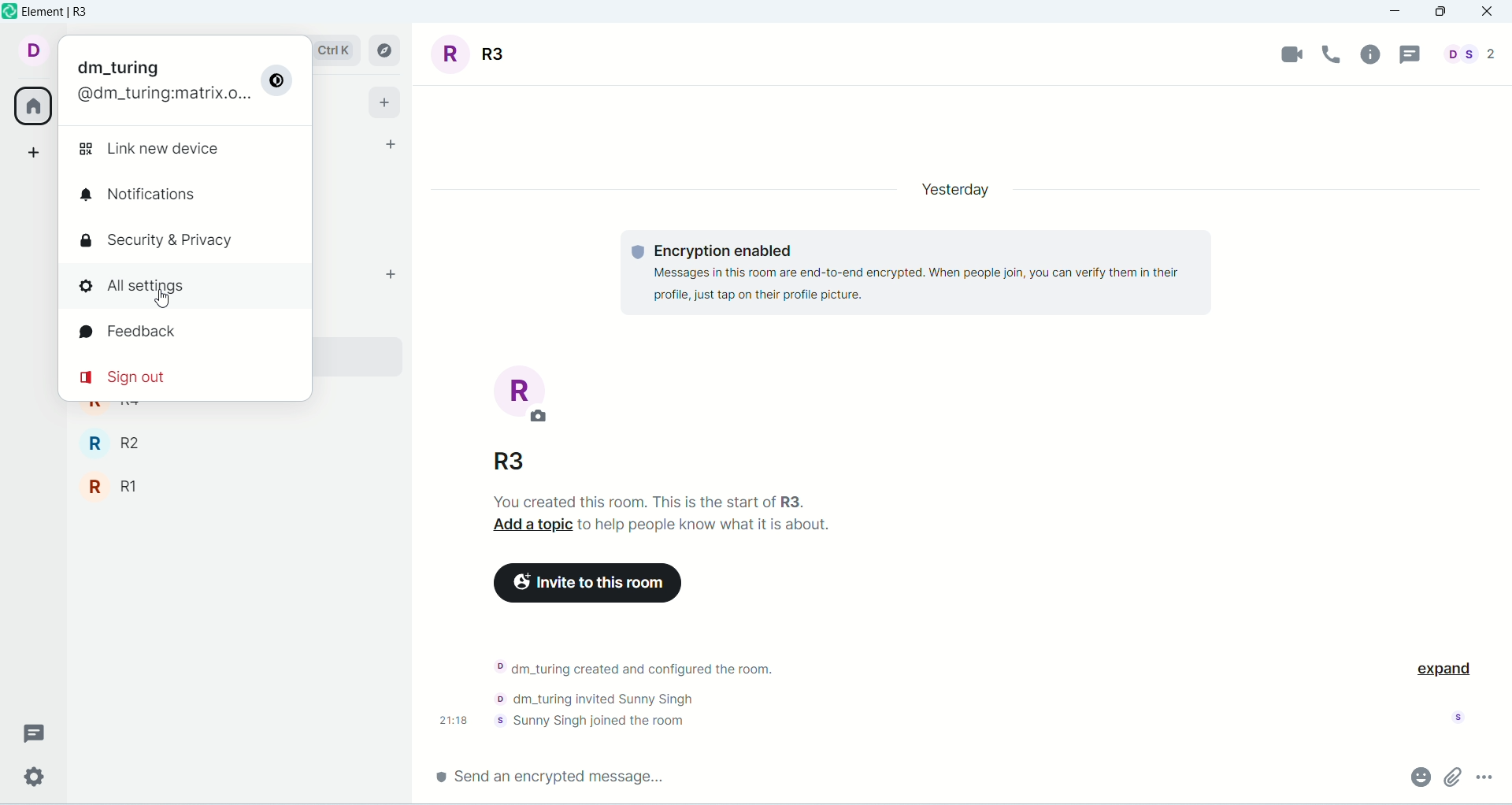 Image resolution: width=1512 pixels, height=805 pixels. What do you see at coordinates (1293, 54) in the screenshot?
I see `video call` at bounding box center [1293, 54].